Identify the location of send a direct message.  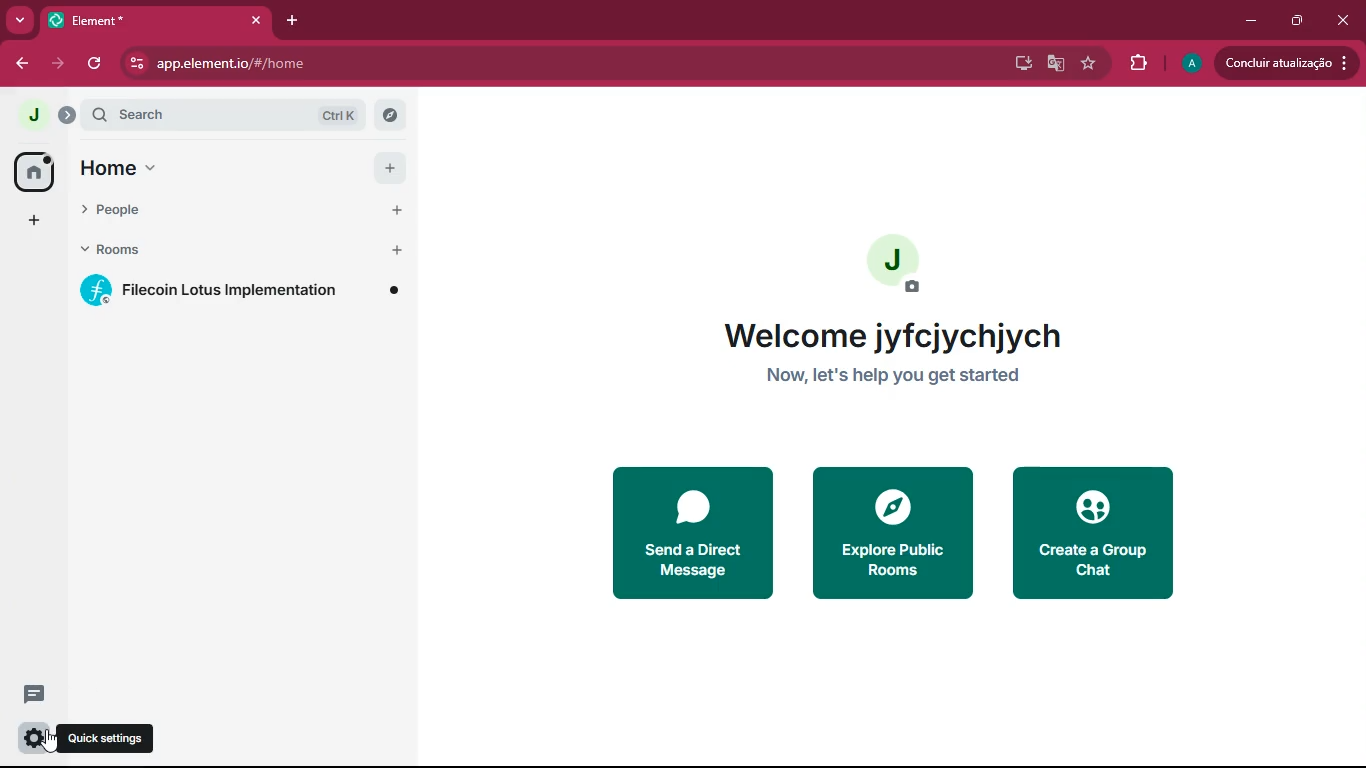
(692, 534).